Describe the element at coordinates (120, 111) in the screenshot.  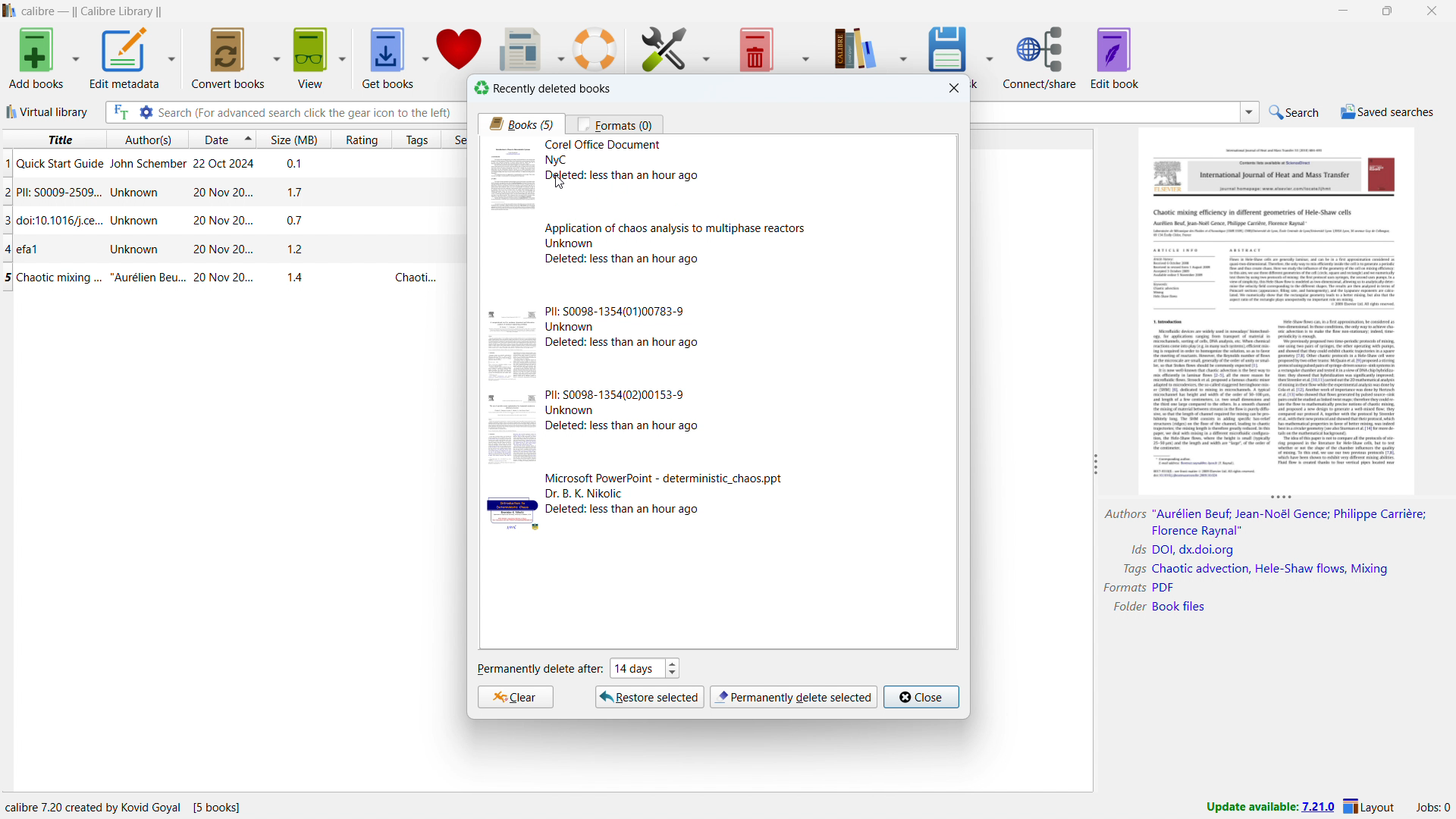
I see `full text search` at that location.